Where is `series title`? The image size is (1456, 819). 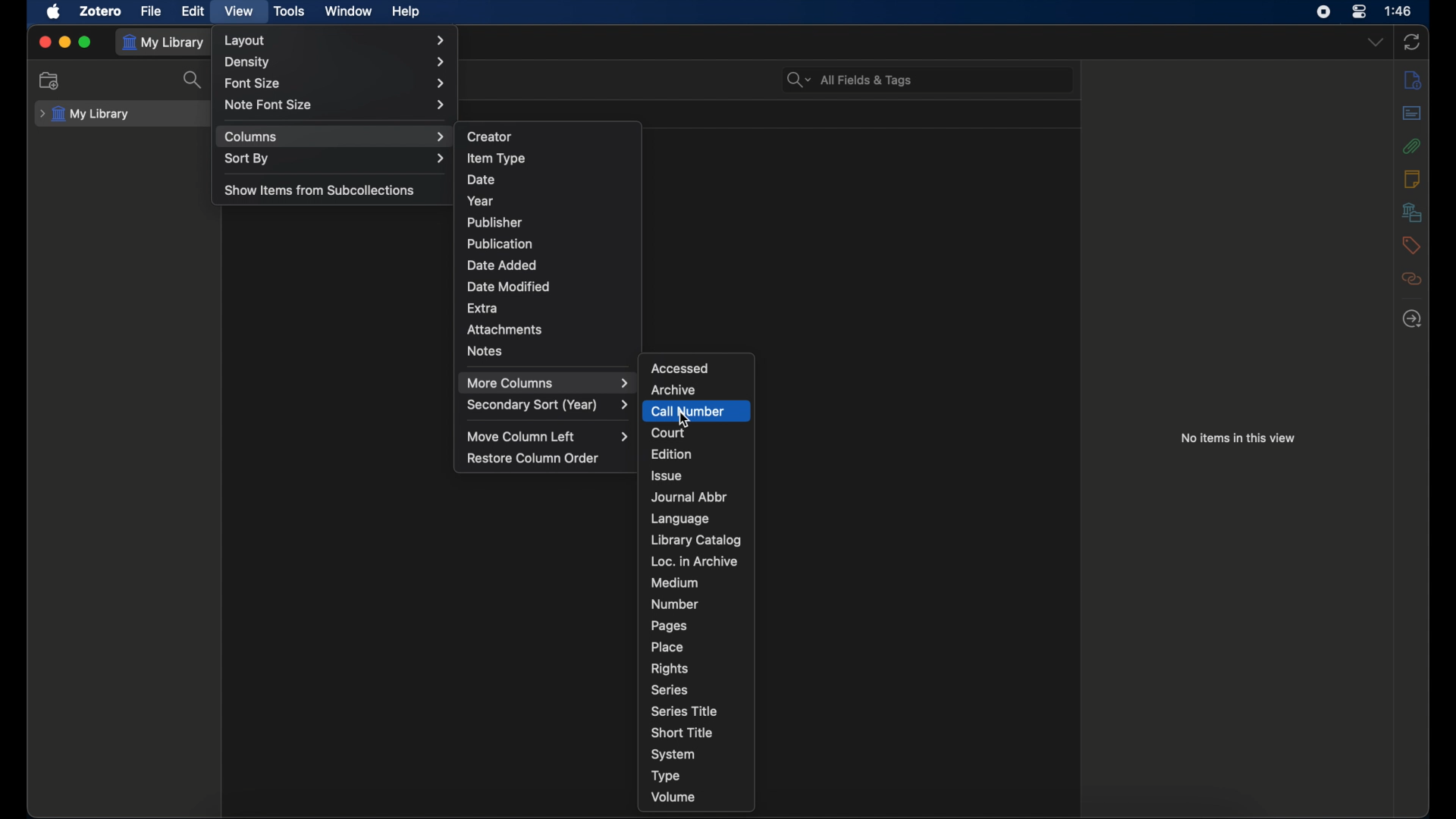 series title is located at coordinates (686, 711).